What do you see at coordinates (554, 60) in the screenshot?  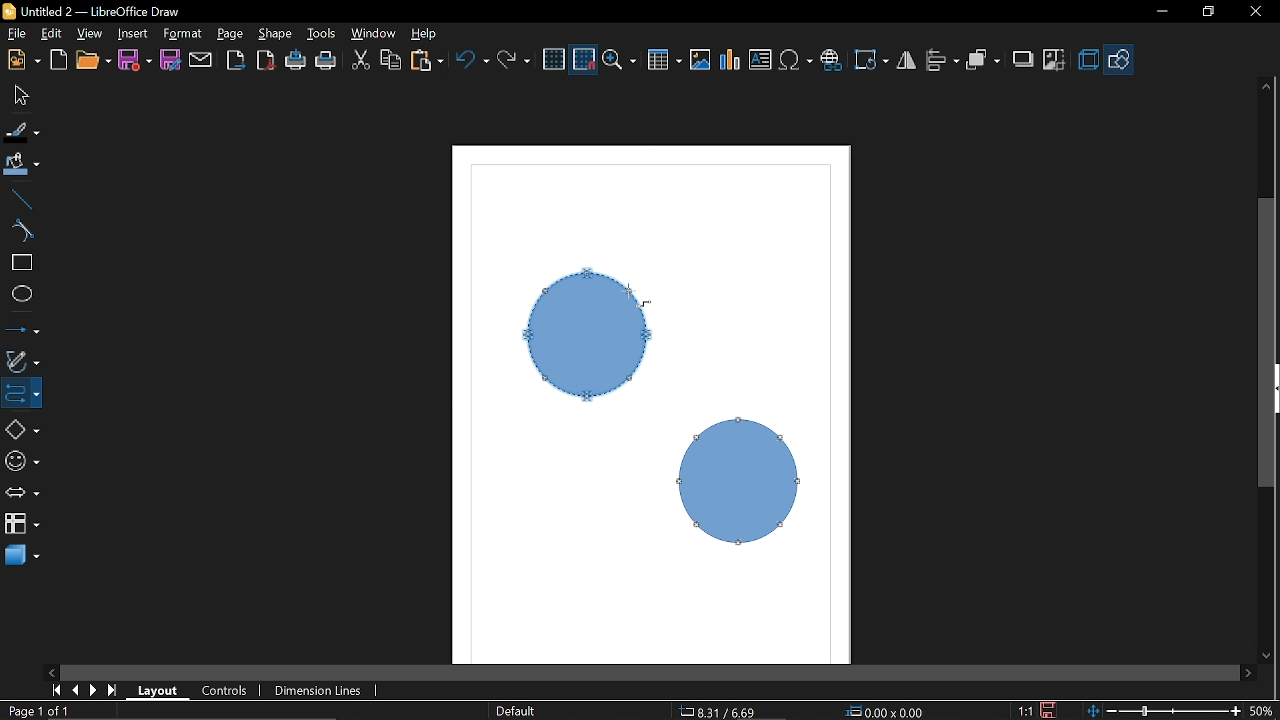 I see `Grid` at bounding box center [554, 60].